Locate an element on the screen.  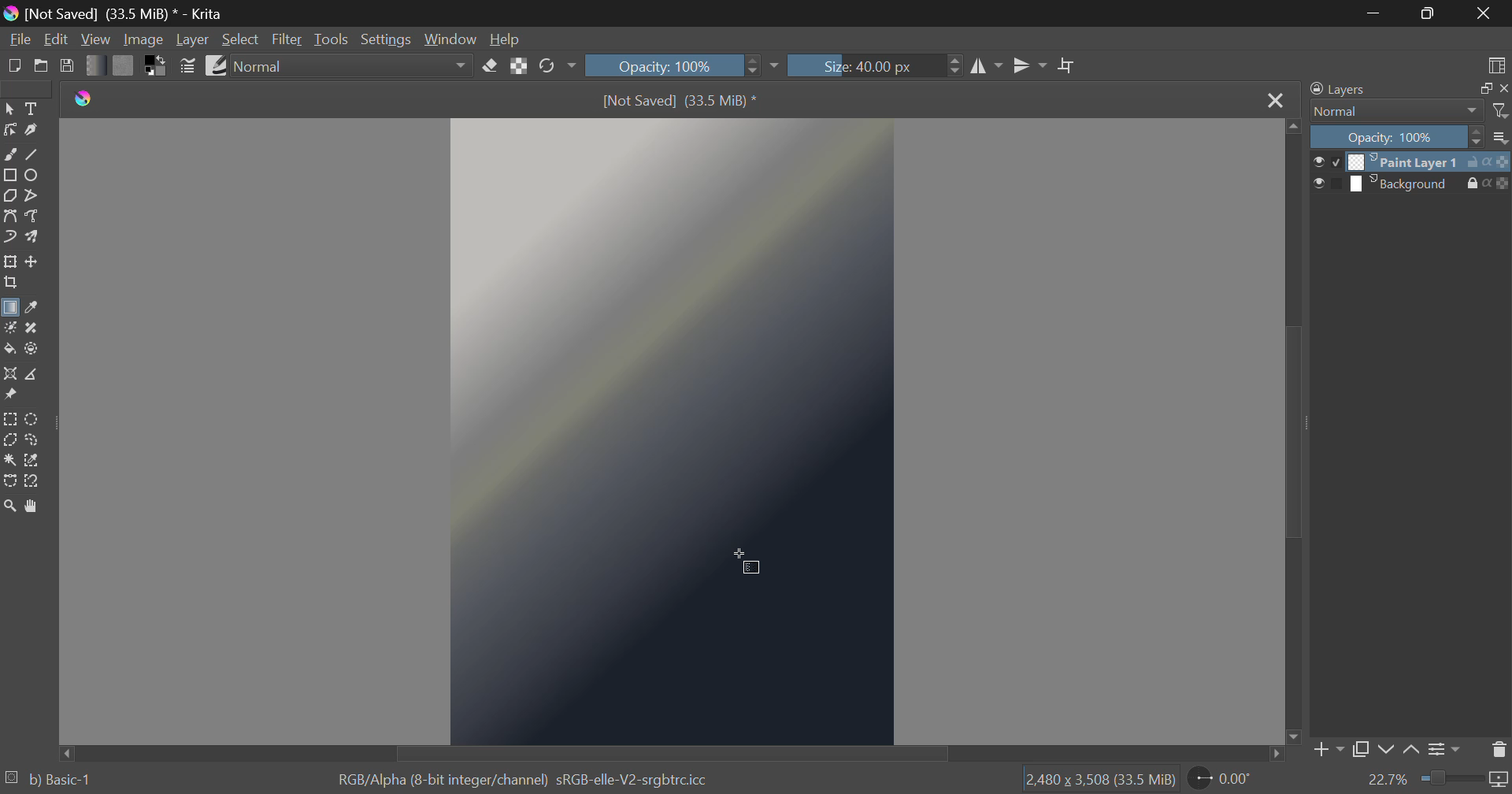
Opacity: 100% is located at coordinates (680, 65).